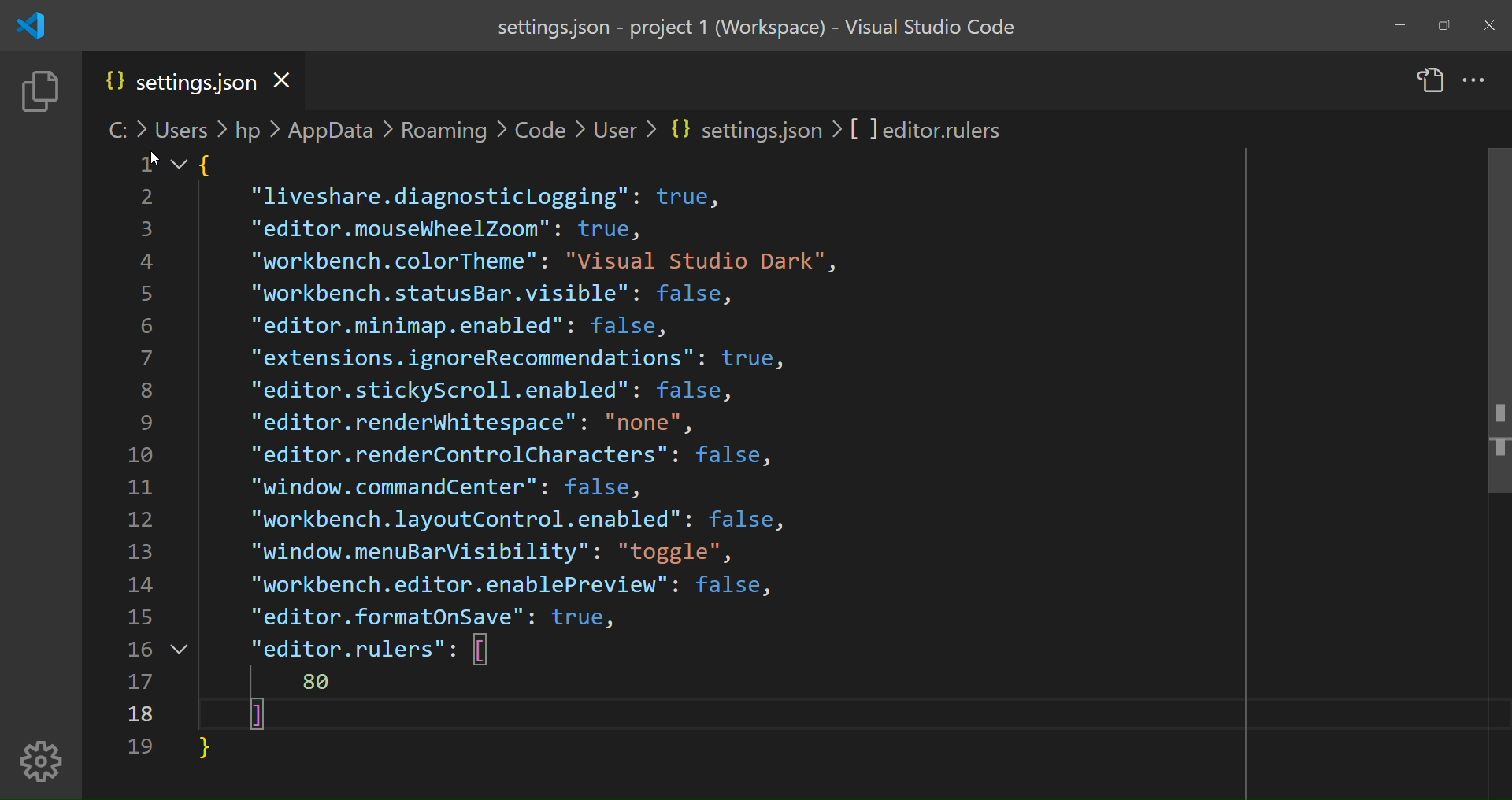 Image resolution: width=1512 pixels, height=800 pixels. I want to click on title, so click(758, 28).